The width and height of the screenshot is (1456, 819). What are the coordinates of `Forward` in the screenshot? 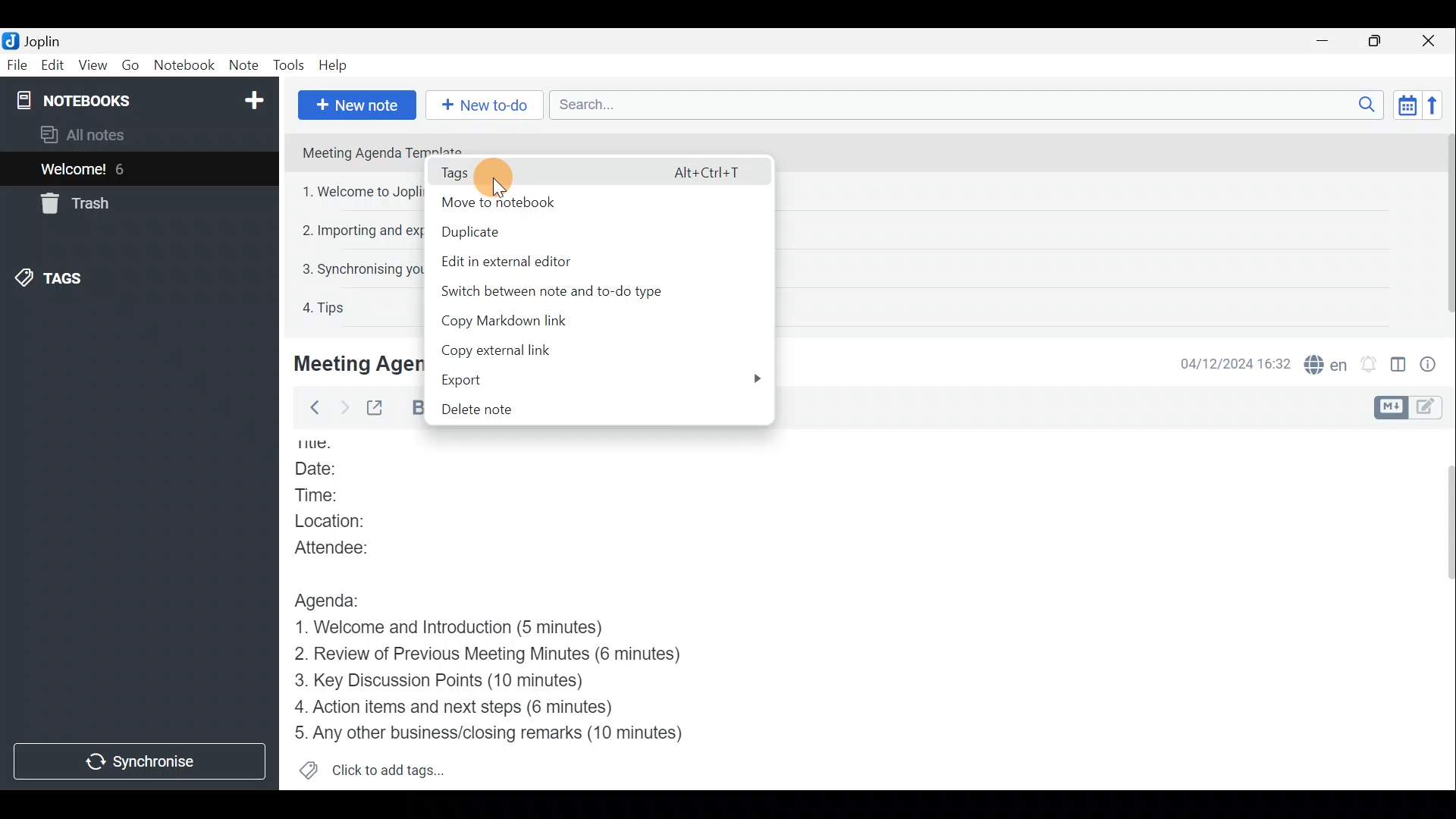 It's located at (342, 407).